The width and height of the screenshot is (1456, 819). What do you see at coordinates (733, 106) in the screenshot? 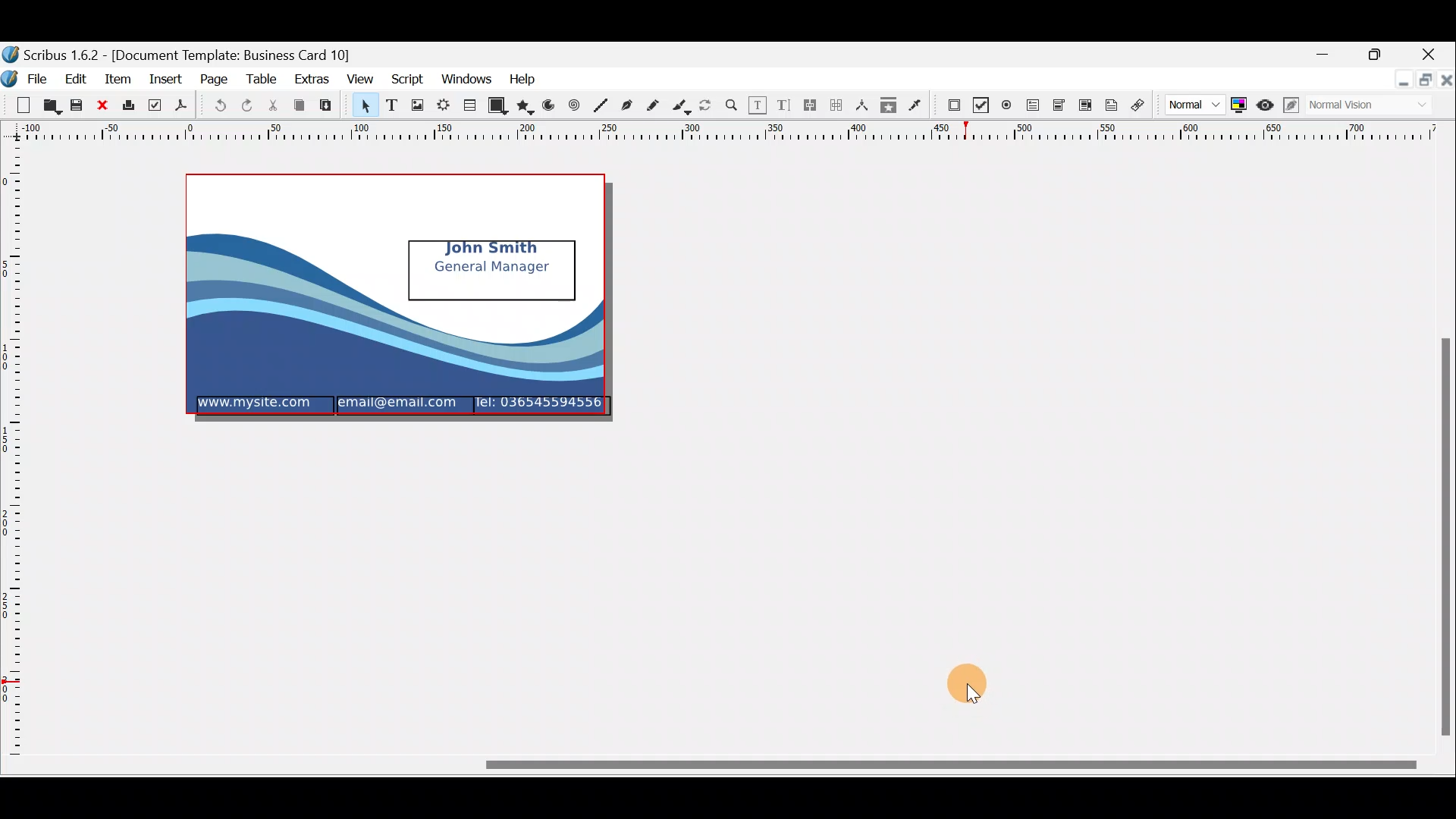
I see `Zoom in or out` at bounding box center [733, 106].